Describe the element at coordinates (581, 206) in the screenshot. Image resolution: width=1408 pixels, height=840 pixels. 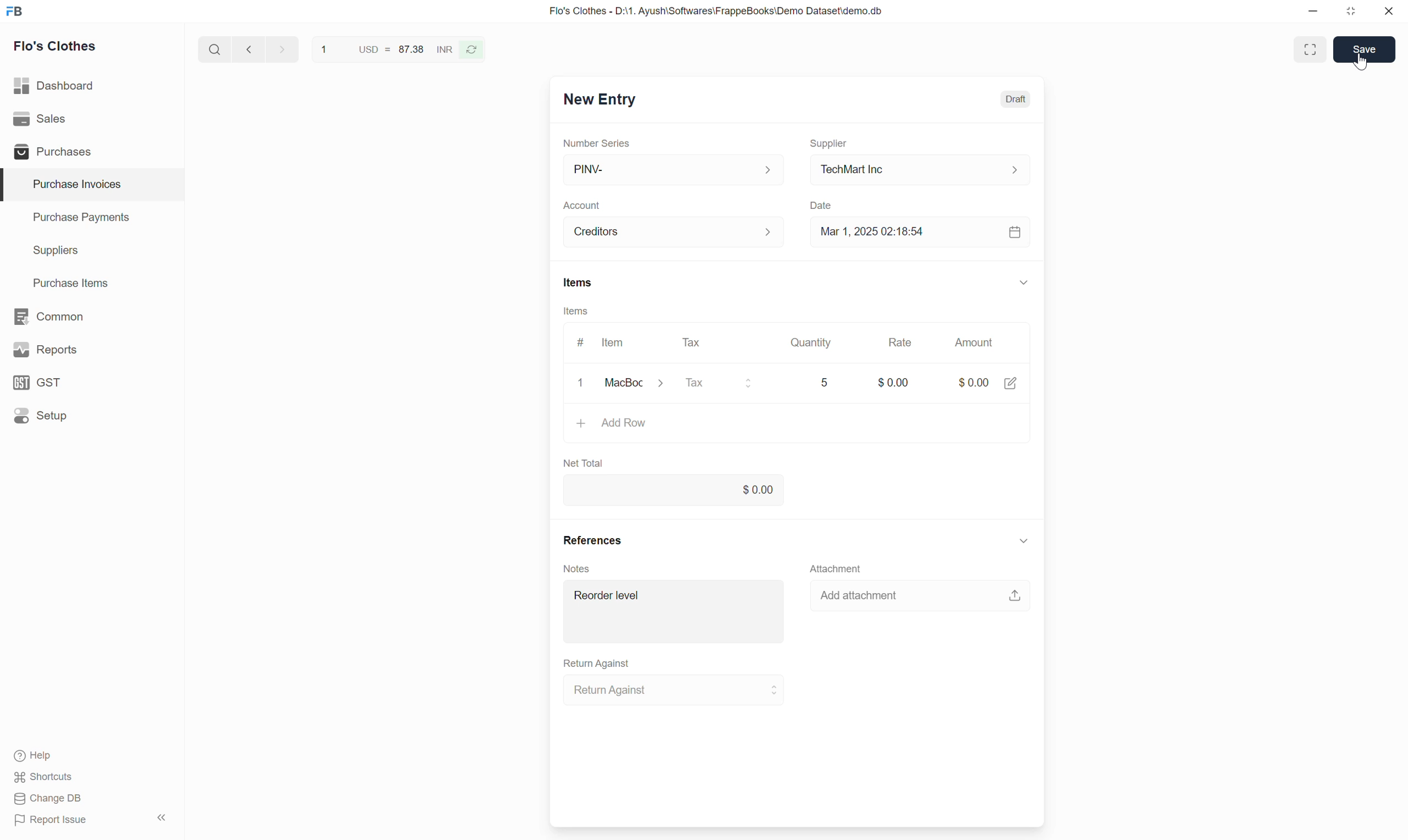
I see `Account` at that location.